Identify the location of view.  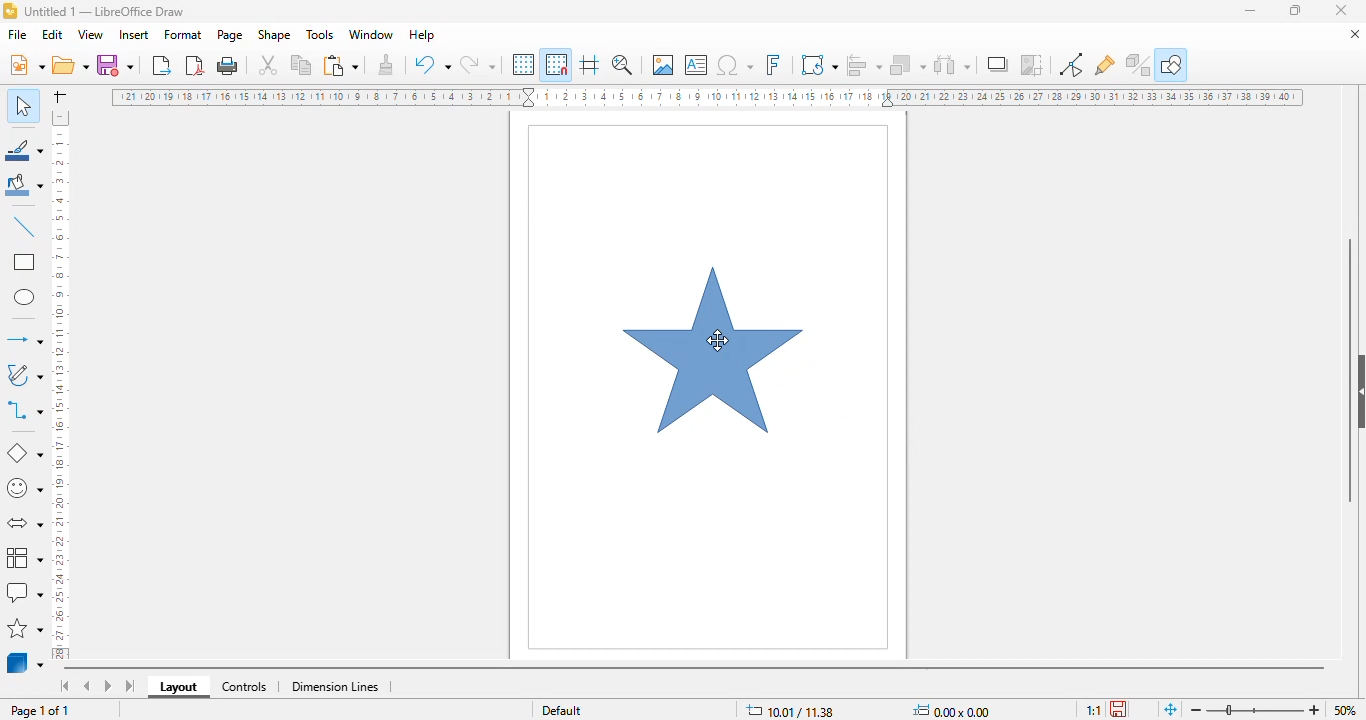
(90, 35).